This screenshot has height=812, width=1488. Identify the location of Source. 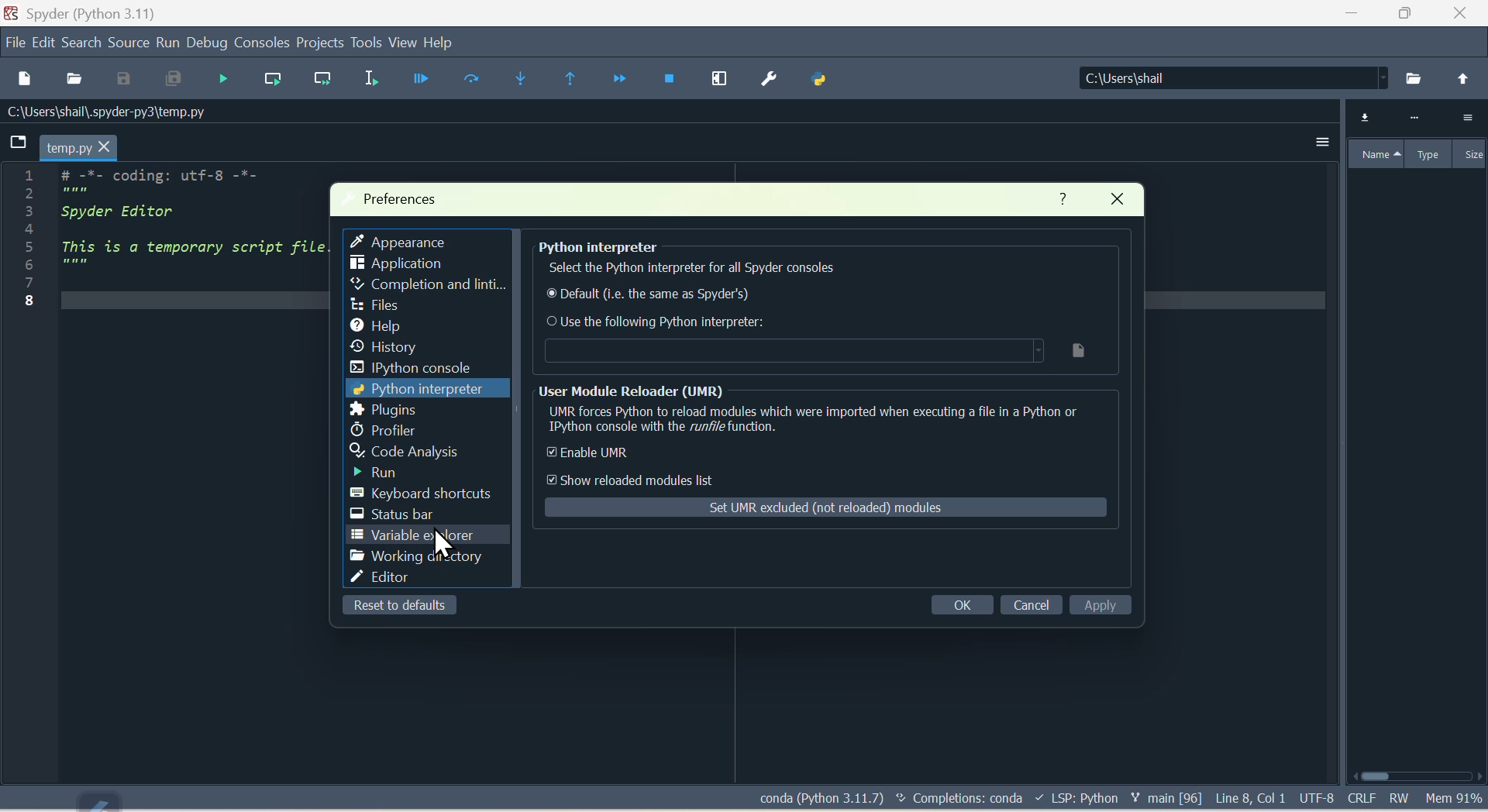
(128, 43).